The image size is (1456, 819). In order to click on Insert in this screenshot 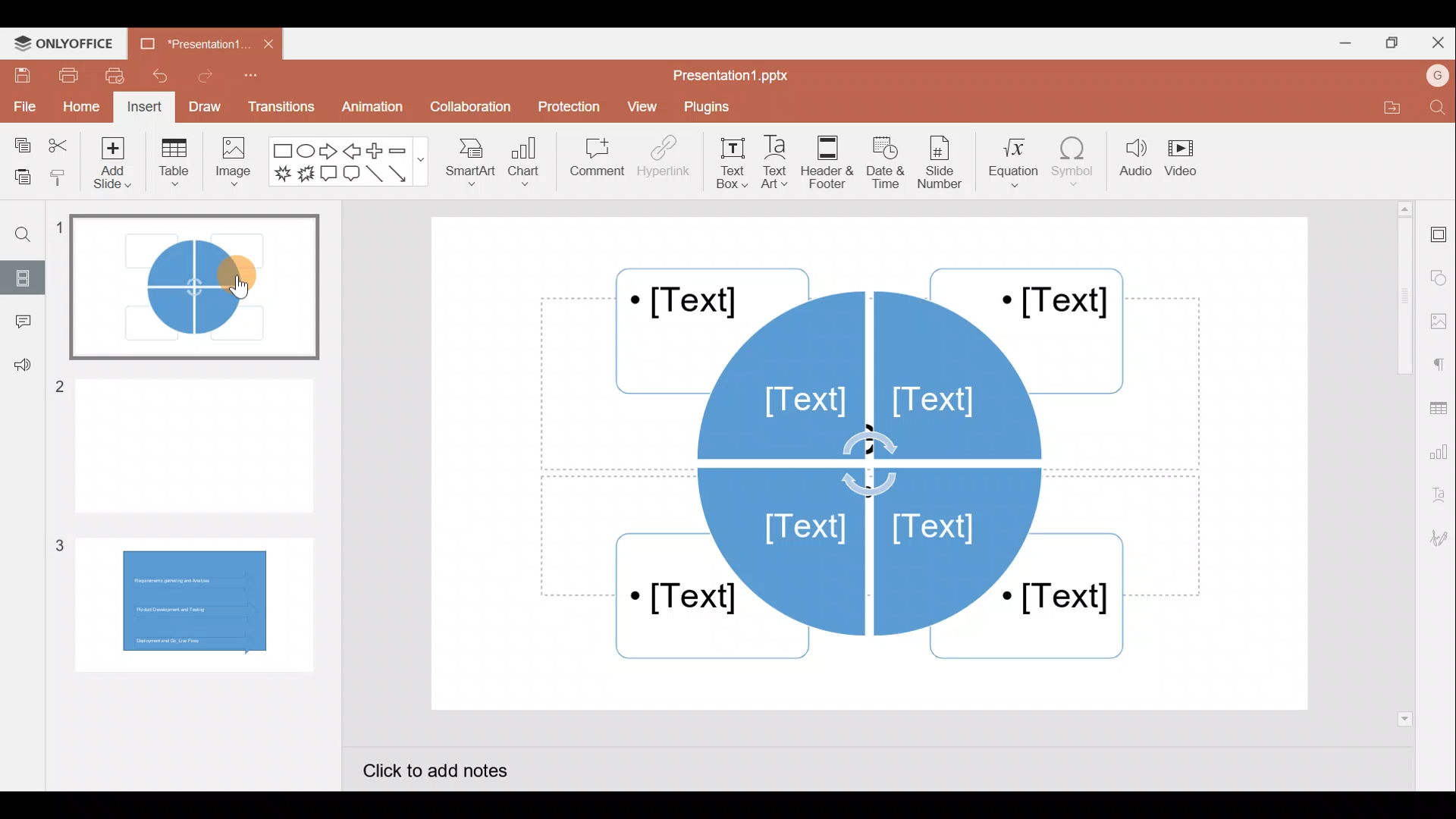, I will do `click(144, 106)`.